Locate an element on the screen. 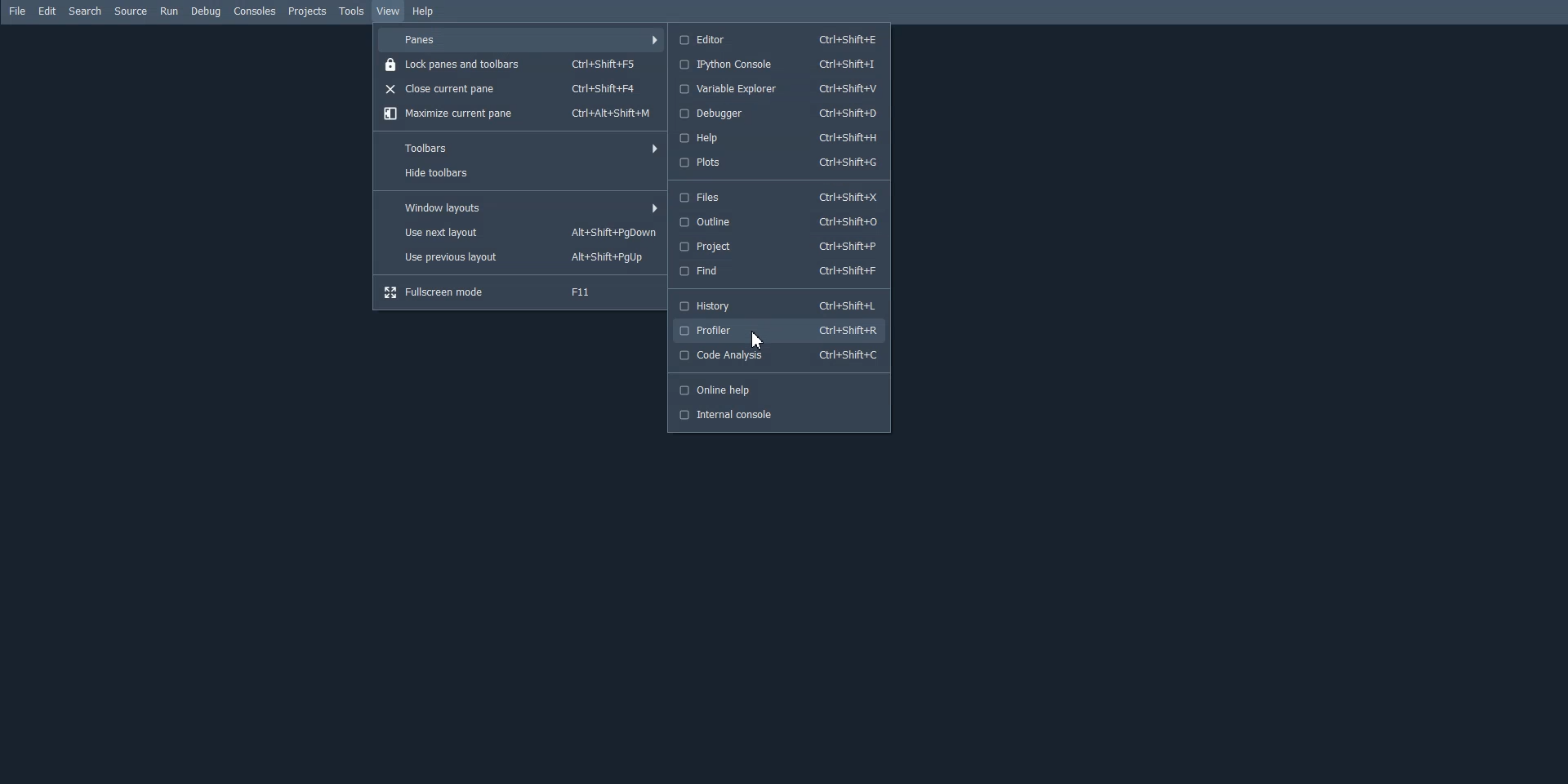  Toolbars is located at coordinates (521, 145).